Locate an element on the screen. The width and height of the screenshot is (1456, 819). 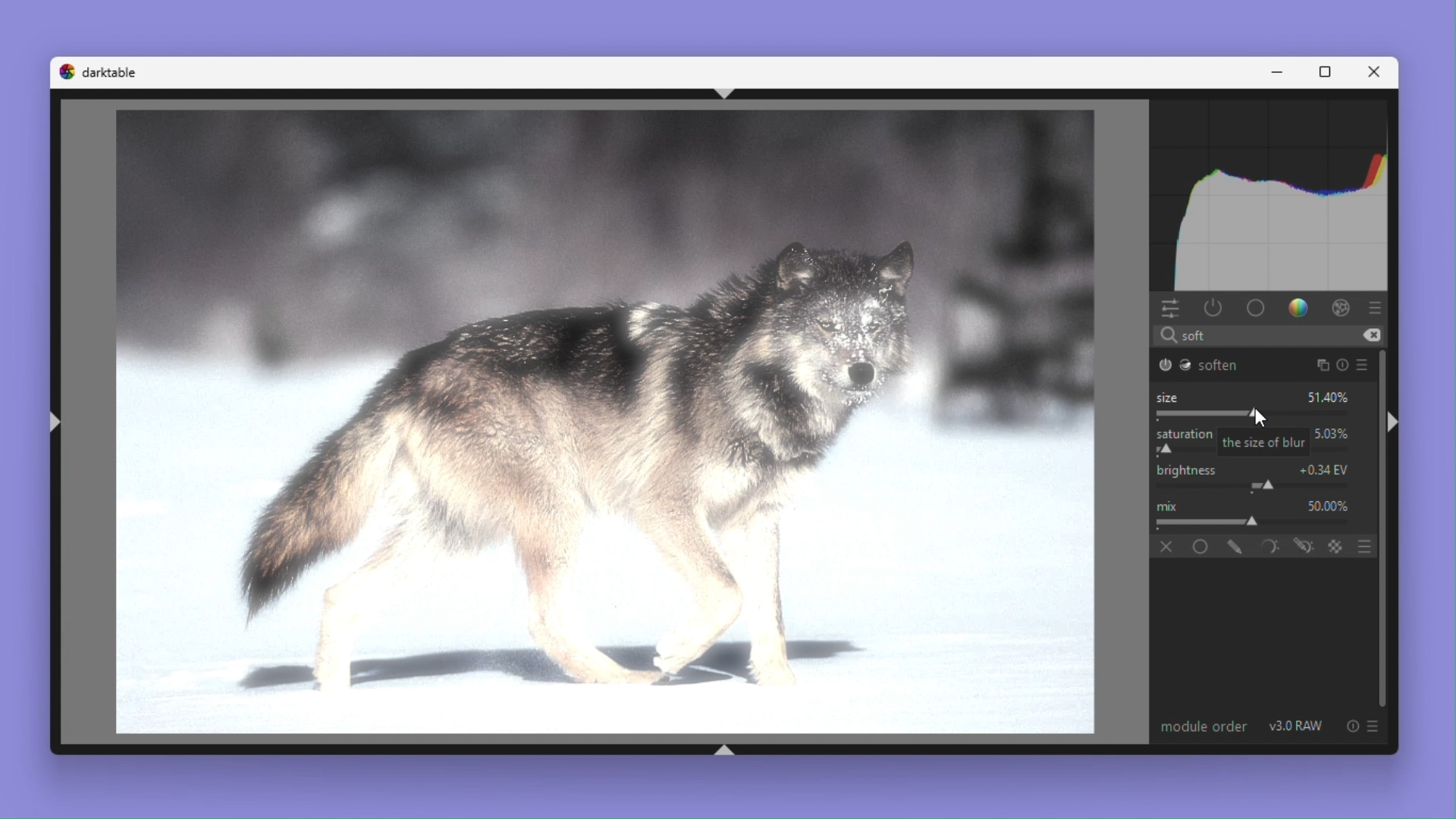
Parametric mask is located at coordinates (1267, 546).